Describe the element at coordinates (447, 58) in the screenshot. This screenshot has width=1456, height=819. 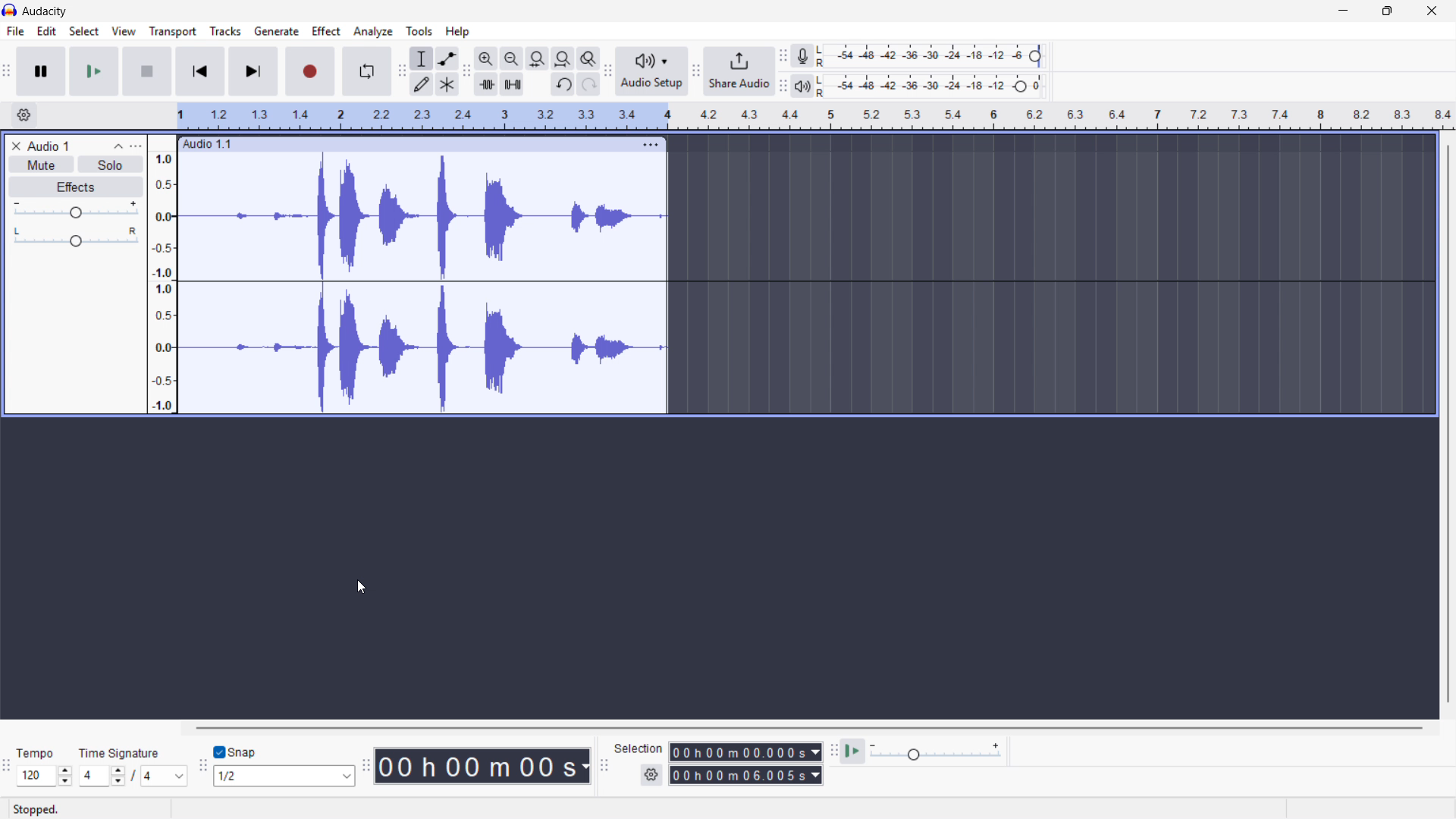
I see `Envelope tool` at that location.